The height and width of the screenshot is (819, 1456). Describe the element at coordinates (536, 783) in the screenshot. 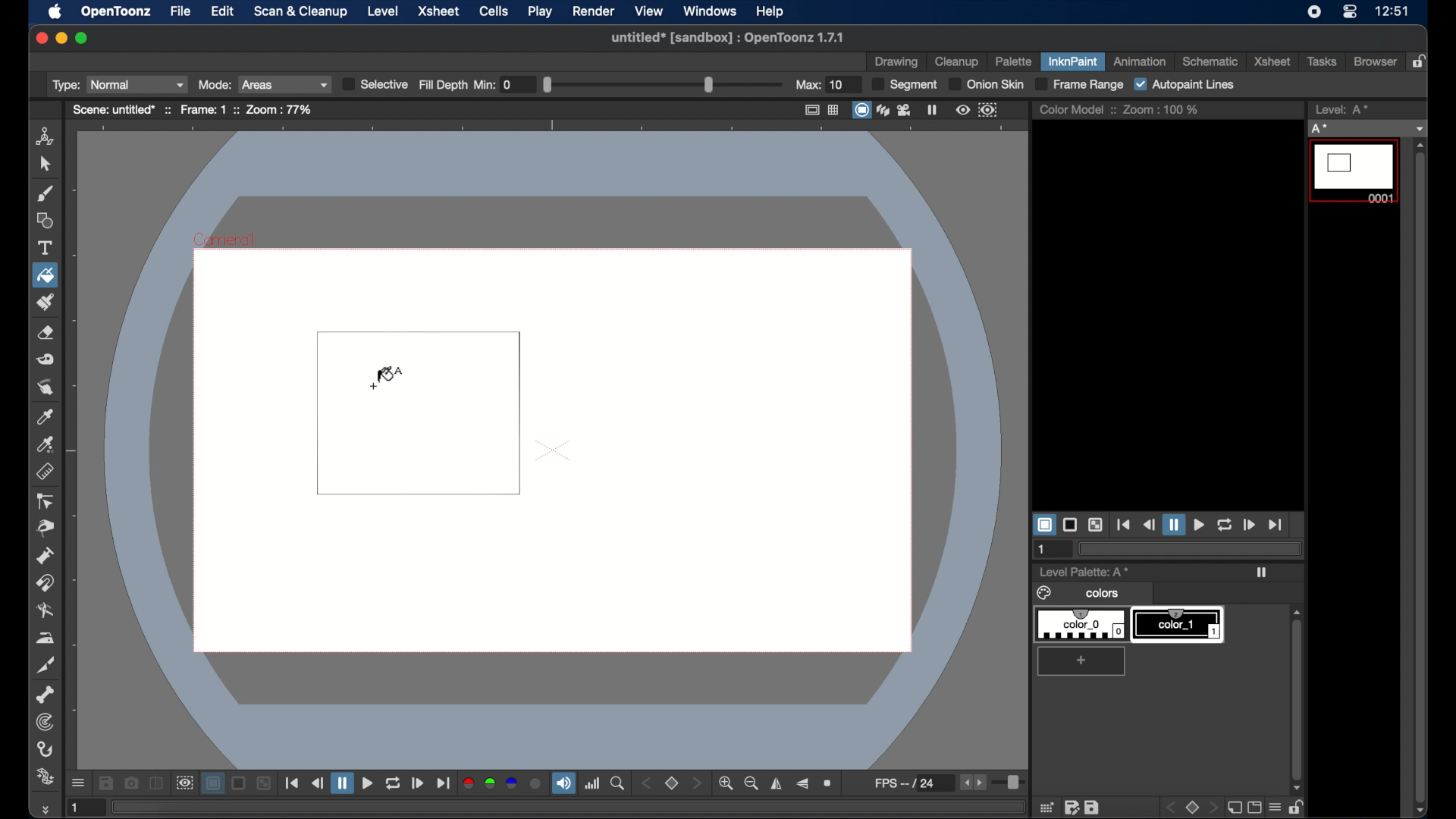

I see `alpha channel` at that location.